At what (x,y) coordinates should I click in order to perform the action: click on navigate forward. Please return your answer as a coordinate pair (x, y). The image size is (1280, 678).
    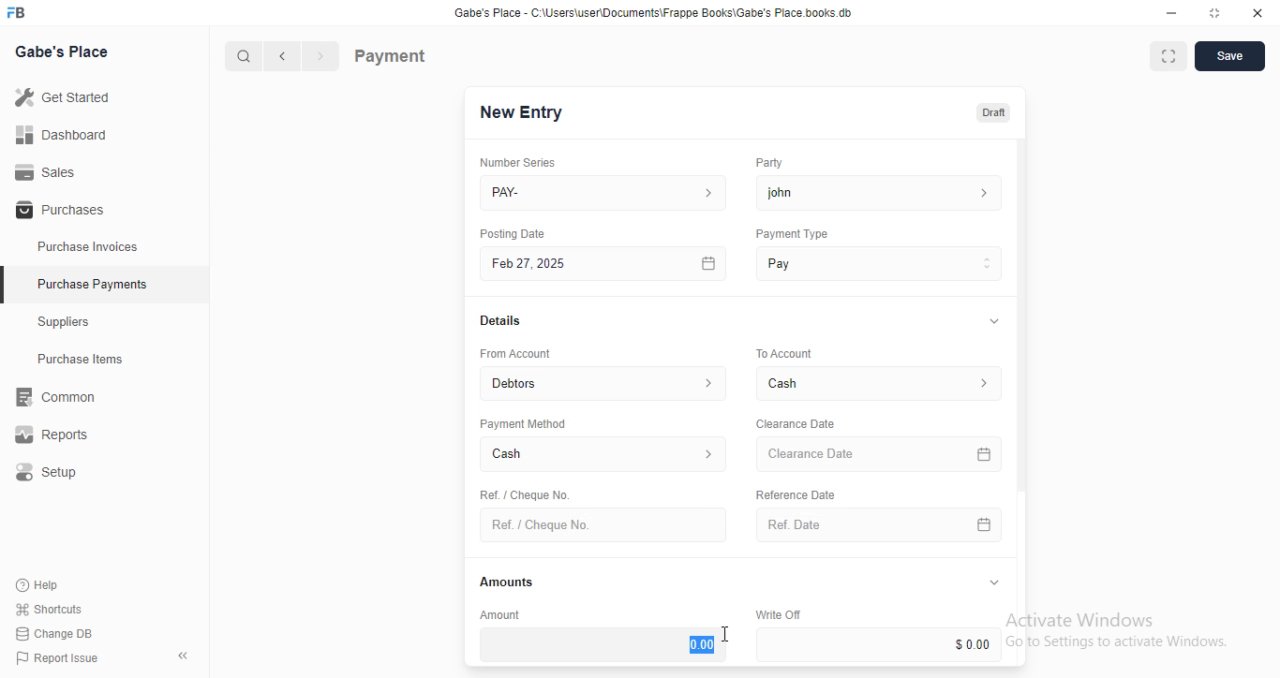
    Looking at the image, I should click on (322, 57).